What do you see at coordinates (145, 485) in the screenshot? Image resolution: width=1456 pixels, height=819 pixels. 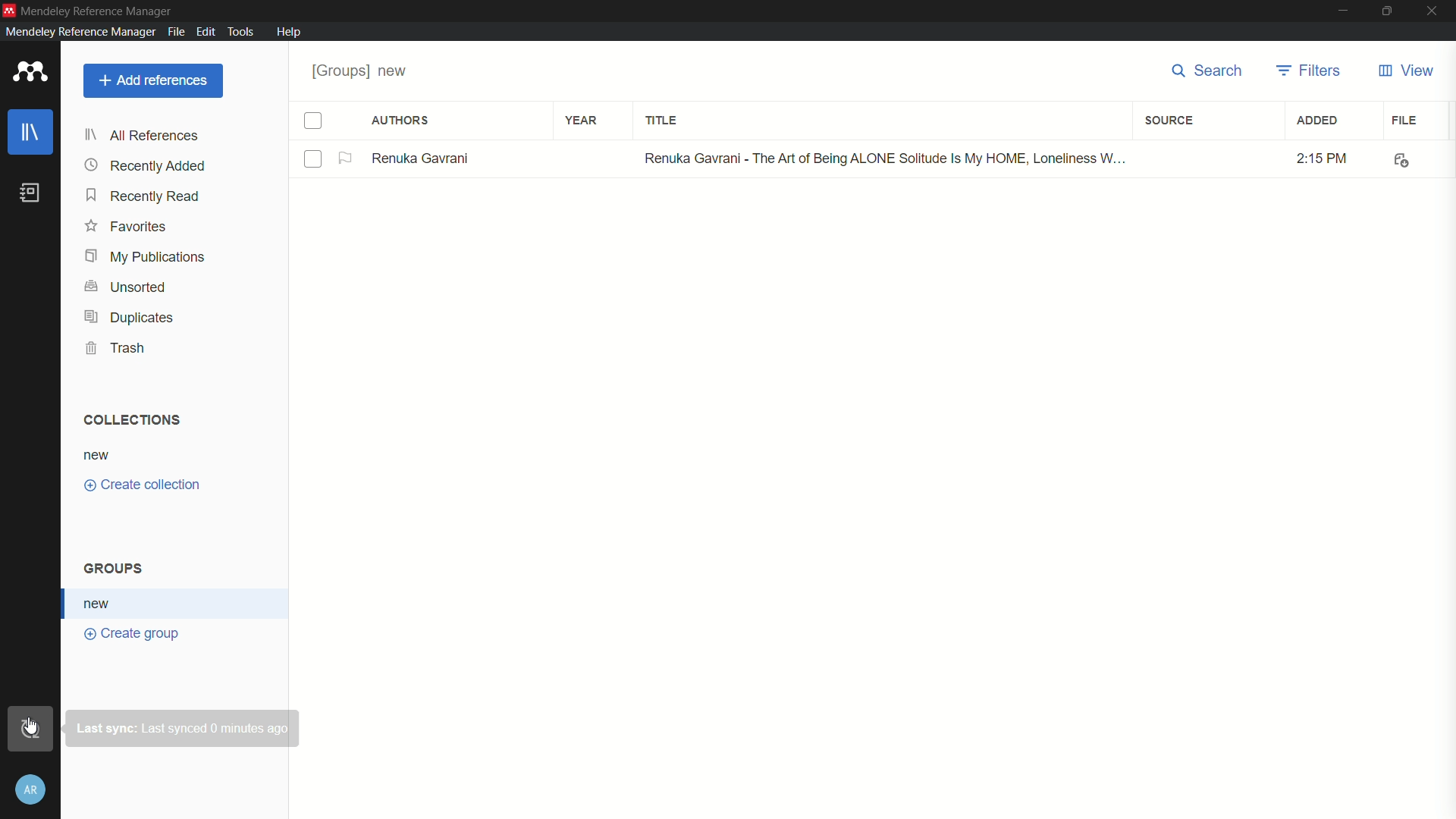 I see `create collection` at bounding box center [145, 485].